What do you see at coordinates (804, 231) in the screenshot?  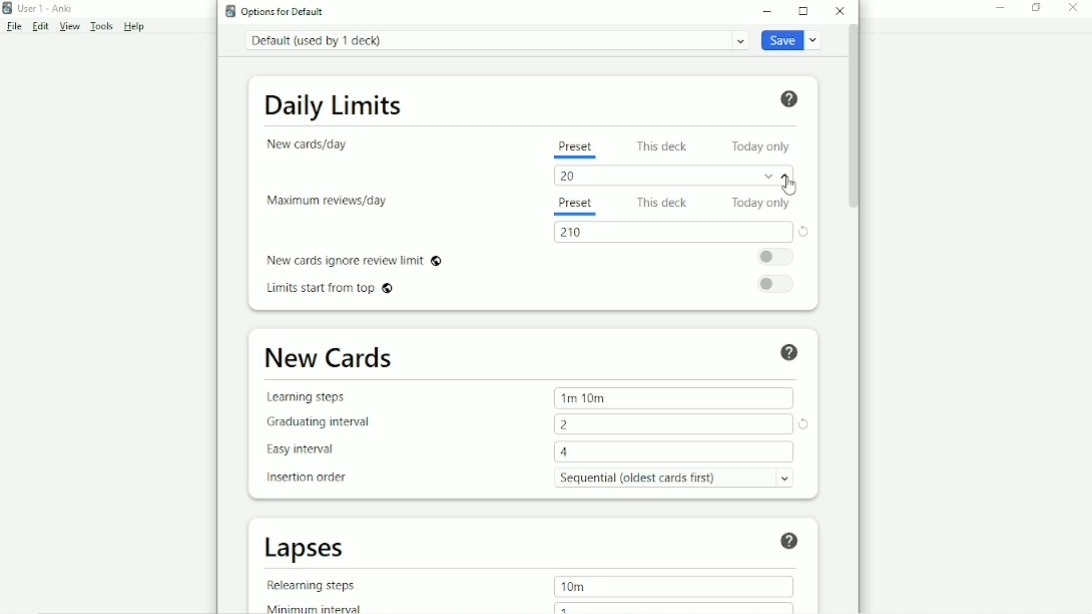 I see `Restore this setting to its default value` at bounding box center [804, 231].